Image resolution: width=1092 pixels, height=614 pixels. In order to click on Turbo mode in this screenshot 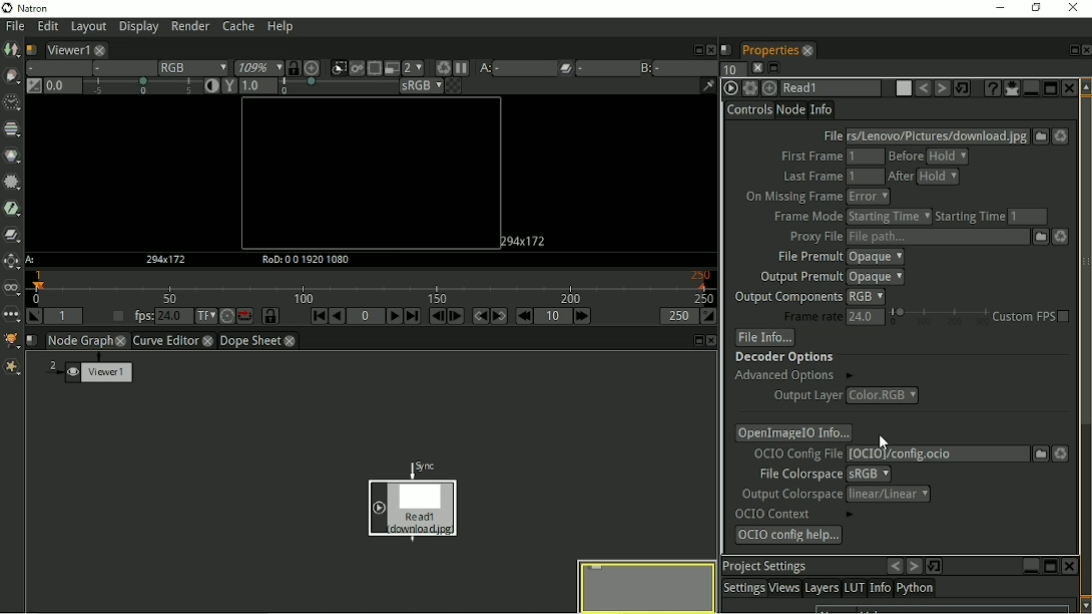, I will do `click(221, 316)`.